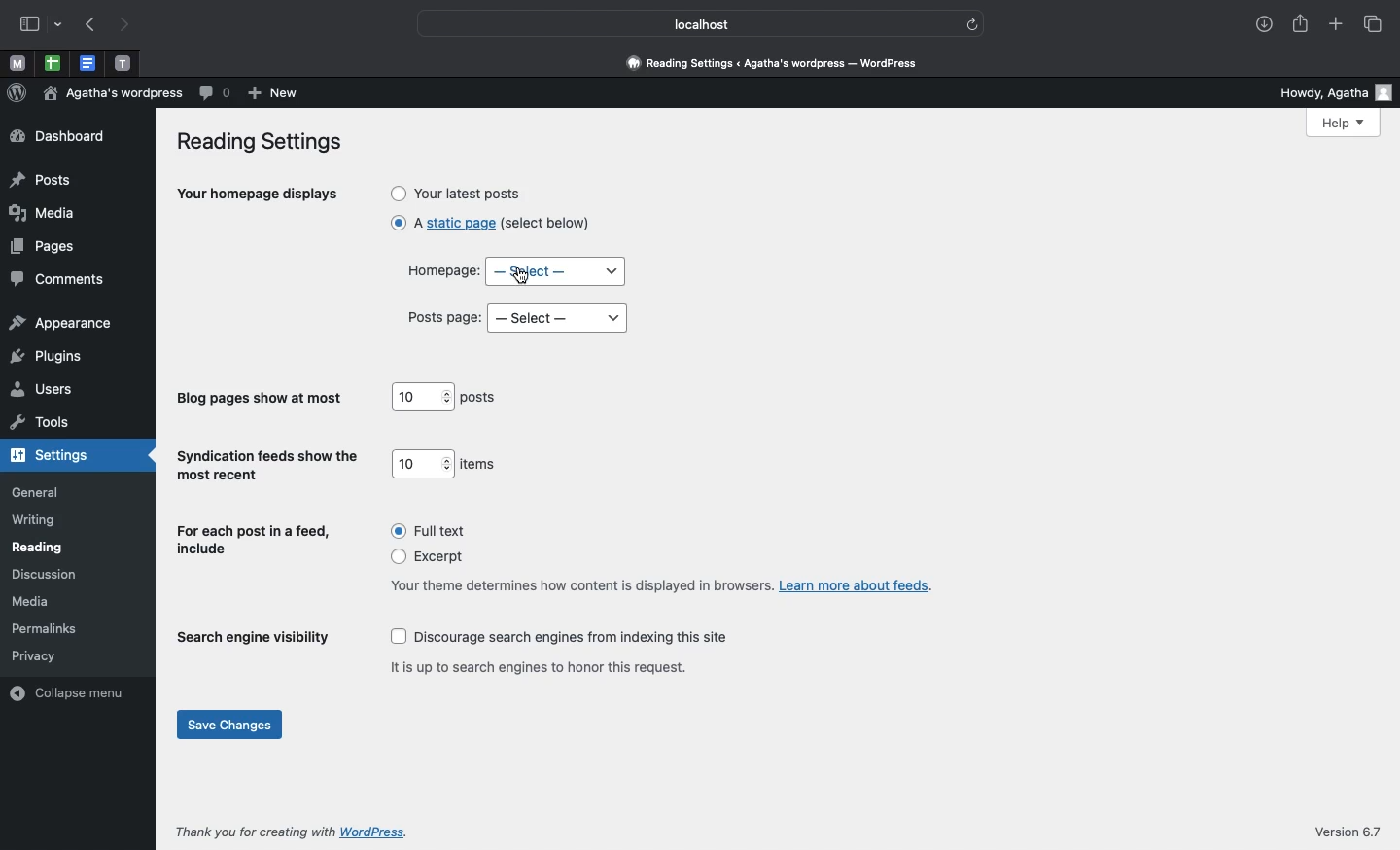  What do you see at coordinates (557, 271) in the screenshot?
I see `Select` at bounding box center [557, 271].